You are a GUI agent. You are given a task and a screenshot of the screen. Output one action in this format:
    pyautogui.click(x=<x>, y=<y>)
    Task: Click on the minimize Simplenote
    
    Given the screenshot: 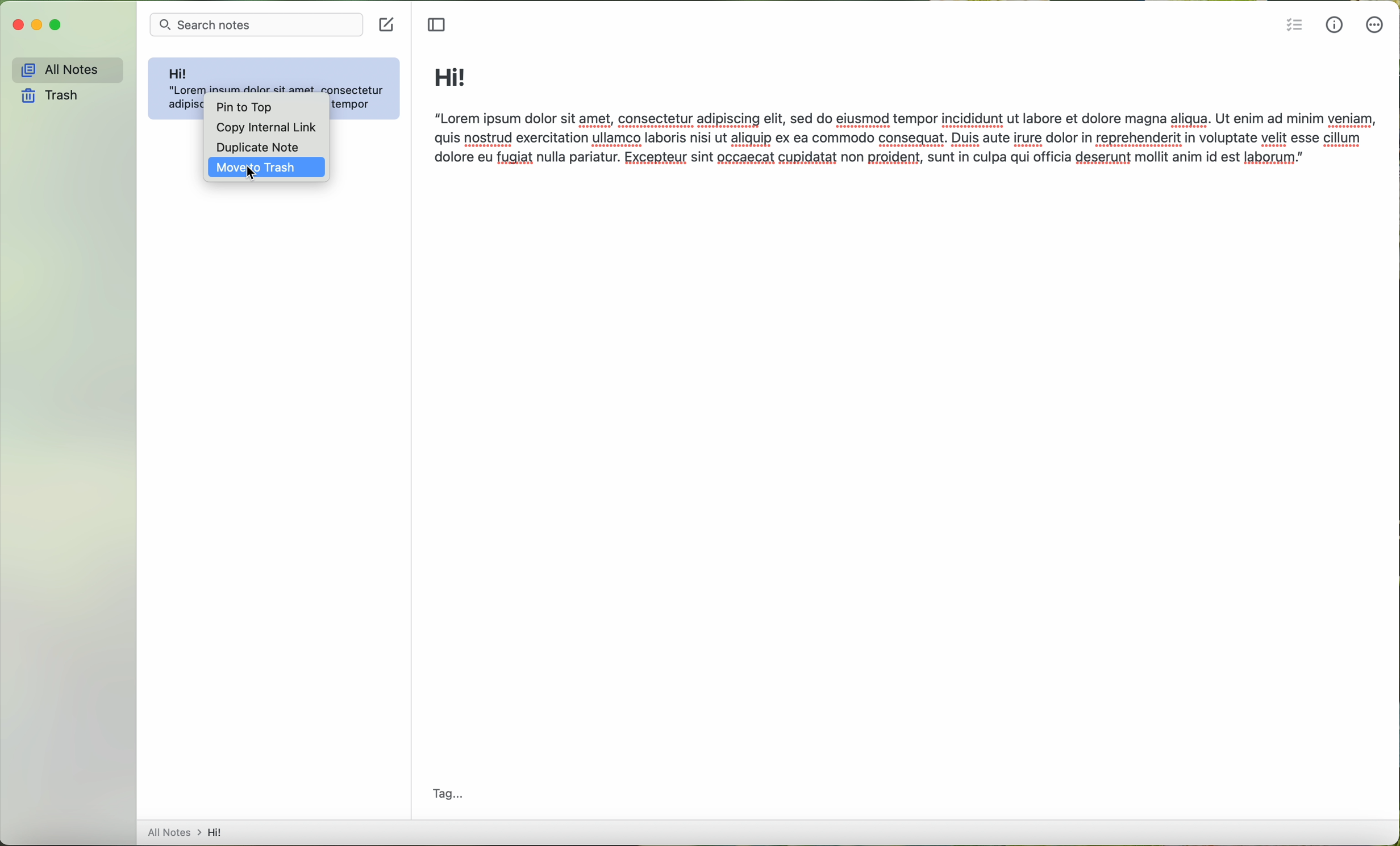 What is the action you would take?
    pyautogui.click(x=37, y=24)
    